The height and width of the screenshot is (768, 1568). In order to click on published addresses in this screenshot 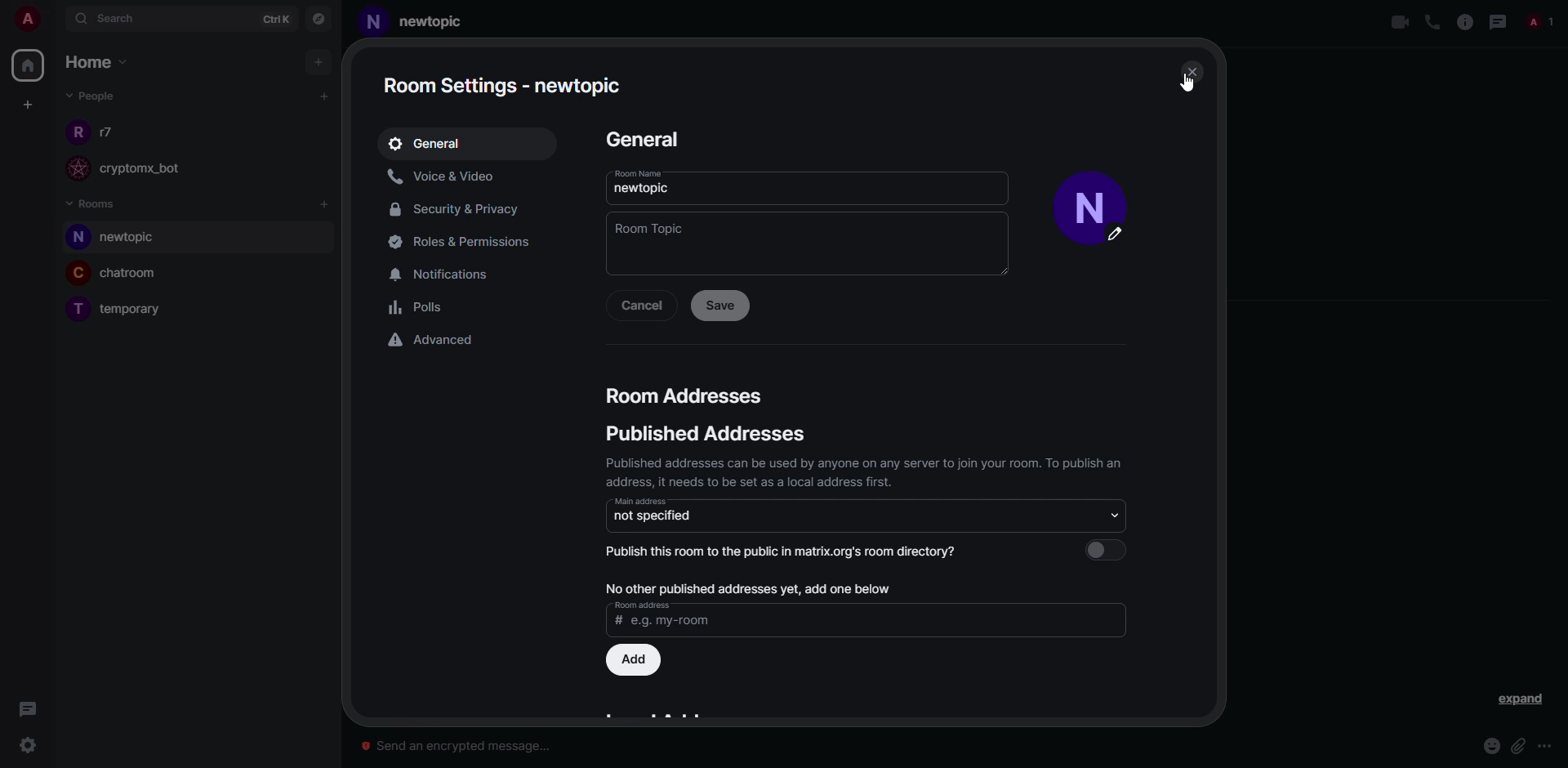, I will do `click(702, 435)`.